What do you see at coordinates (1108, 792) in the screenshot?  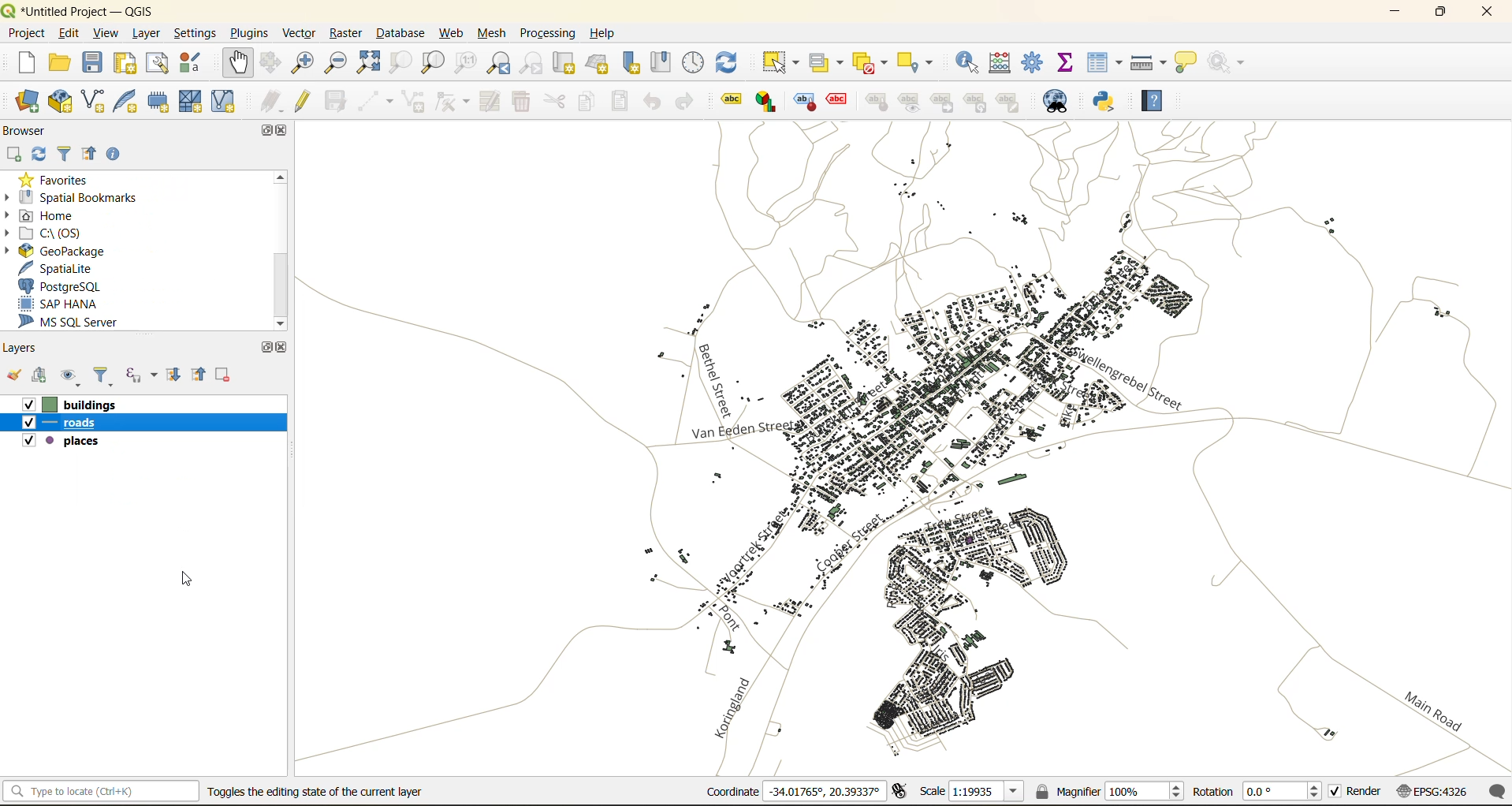 I see `magnifier` at bounding box center [1108, 792].